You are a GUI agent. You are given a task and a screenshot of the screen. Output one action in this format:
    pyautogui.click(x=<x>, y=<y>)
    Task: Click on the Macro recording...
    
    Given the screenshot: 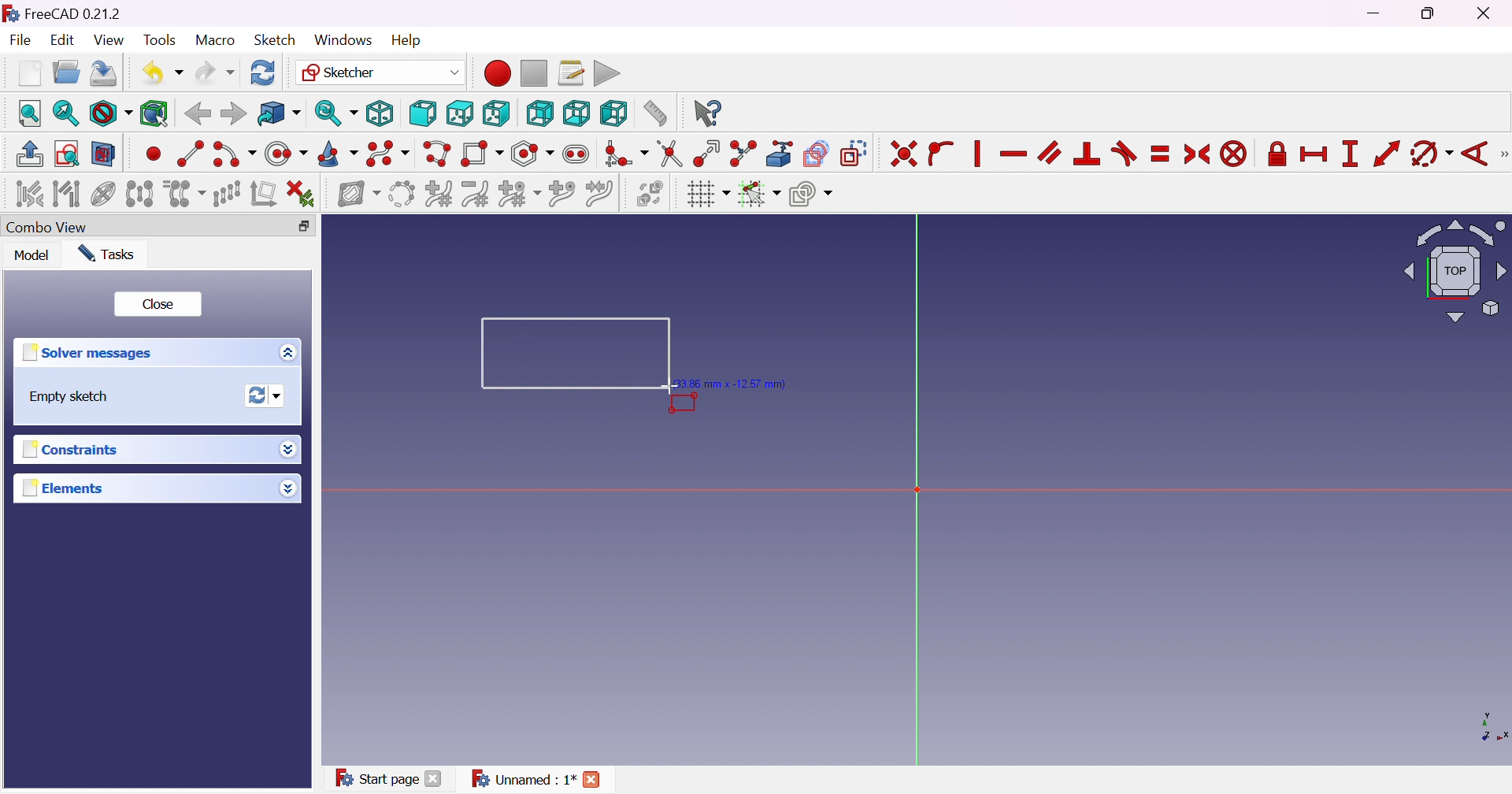 What is the action you would take?
    pyautogui.click(x=495, y=72)
    